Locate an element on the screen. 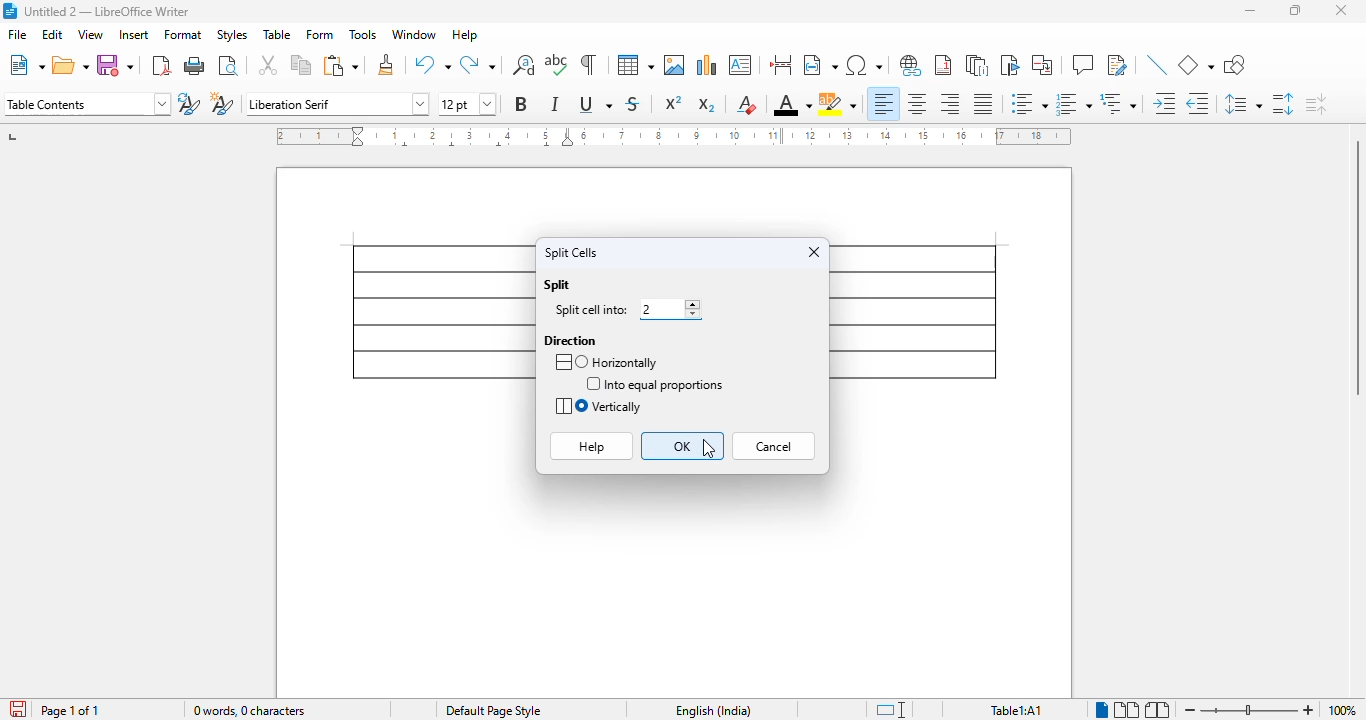 This screenshot has width=1366, height=720. format is located at coordinates (184, 34).